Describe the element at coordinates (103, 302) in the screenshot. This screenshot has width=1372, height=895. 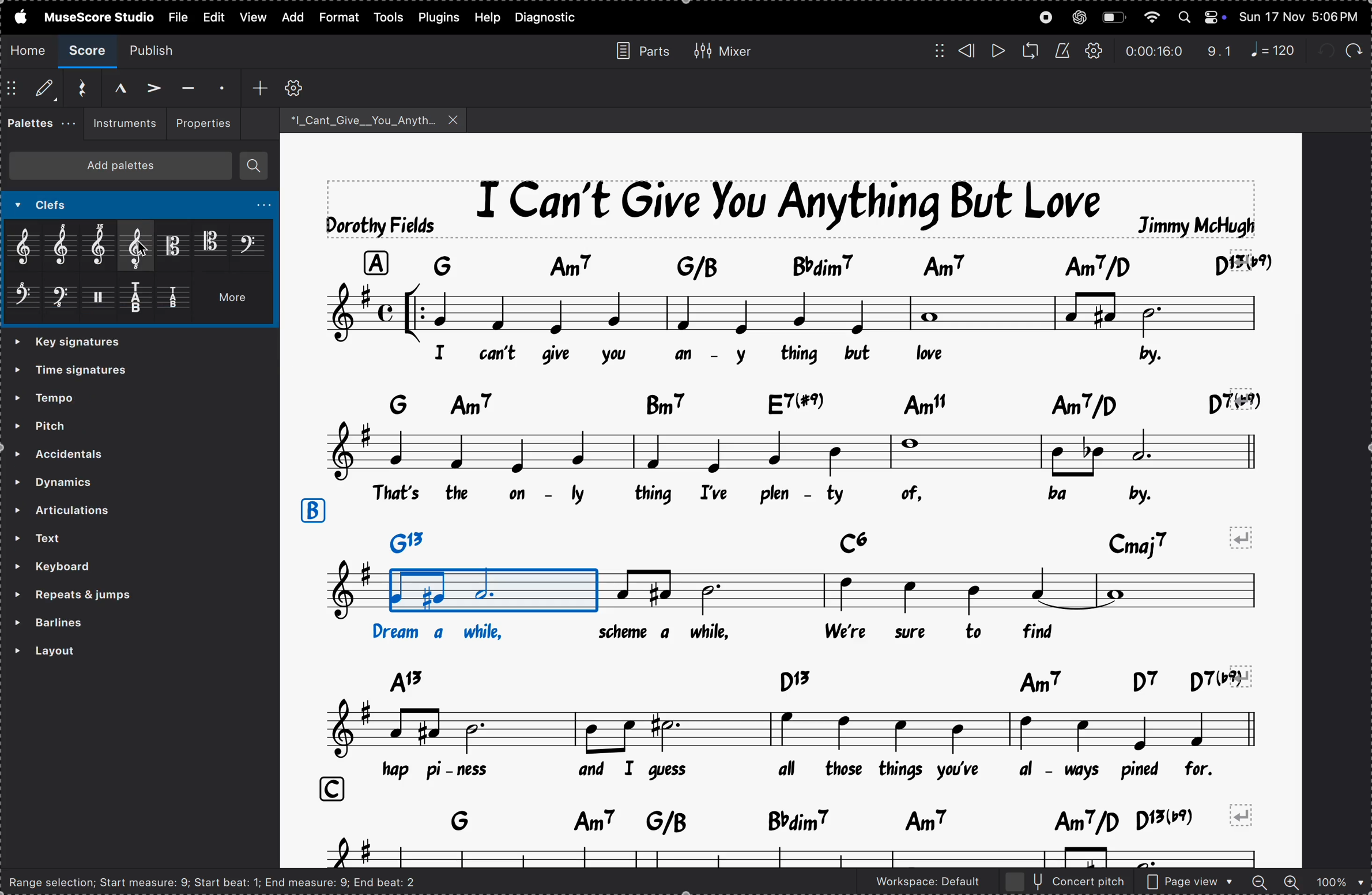
I see `percussion` at that location.